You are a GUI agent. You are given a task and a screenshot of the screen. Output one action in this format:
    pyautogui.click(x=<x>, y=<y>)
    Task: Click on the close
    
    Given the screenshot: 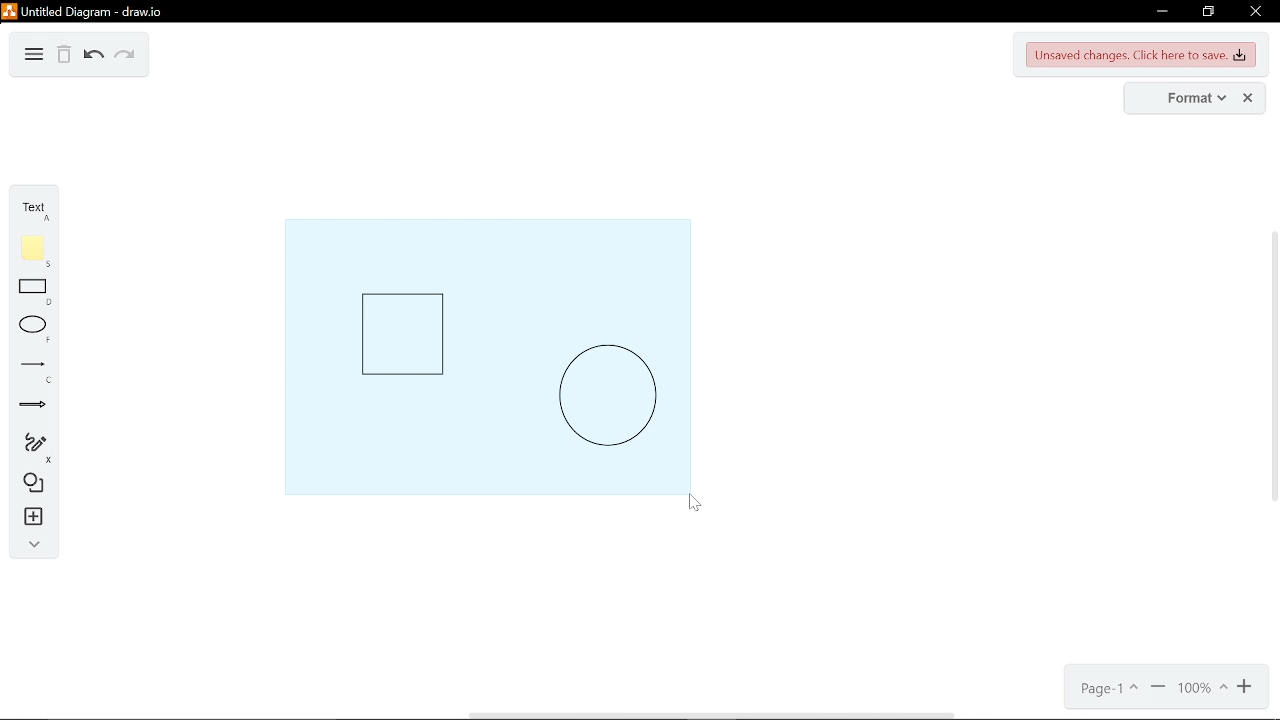 What is the action you would take?
    pyautogui.click(x=1257, y=13)
    